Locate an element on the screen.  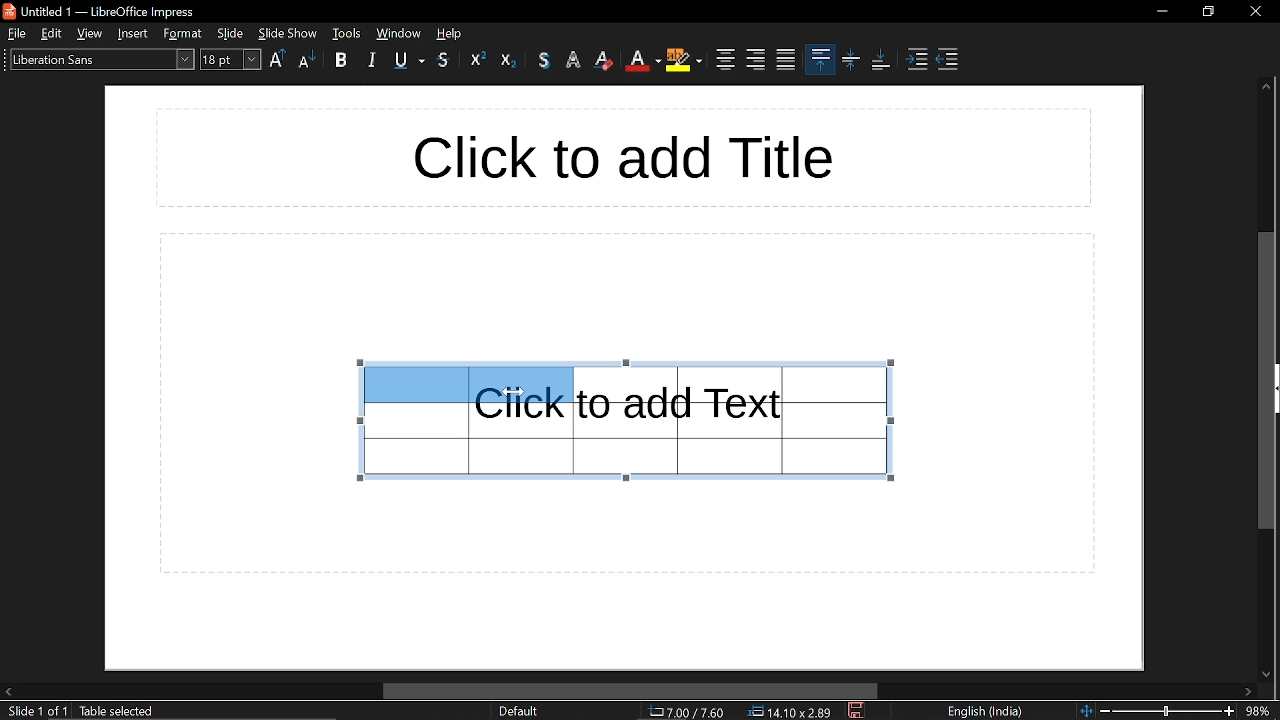
vertical scrollbar is located at coordinates (1266, 379).